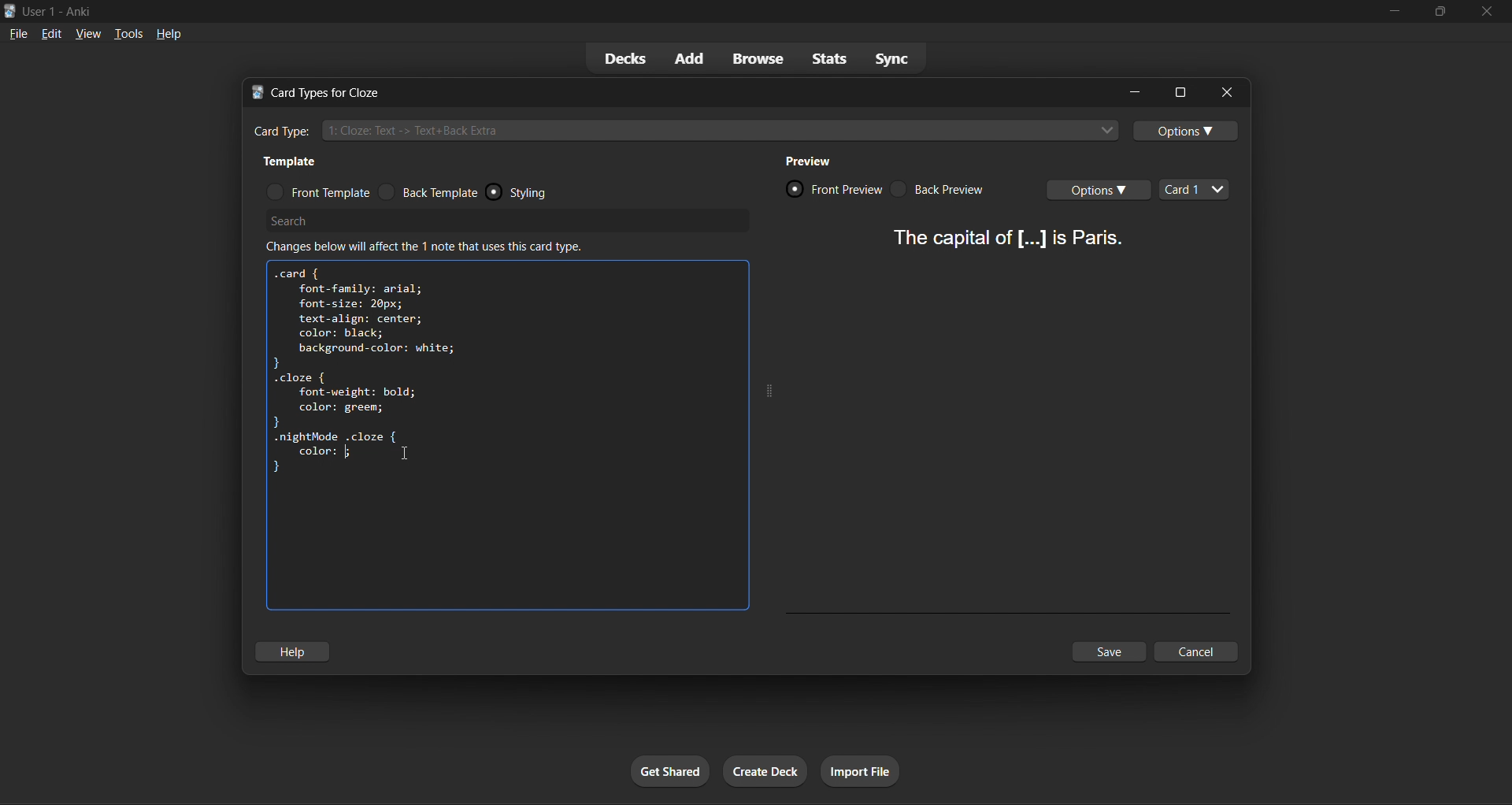  Describe the element at coordinates (689, 10) in the screenshot. I see `title bar` at that location.